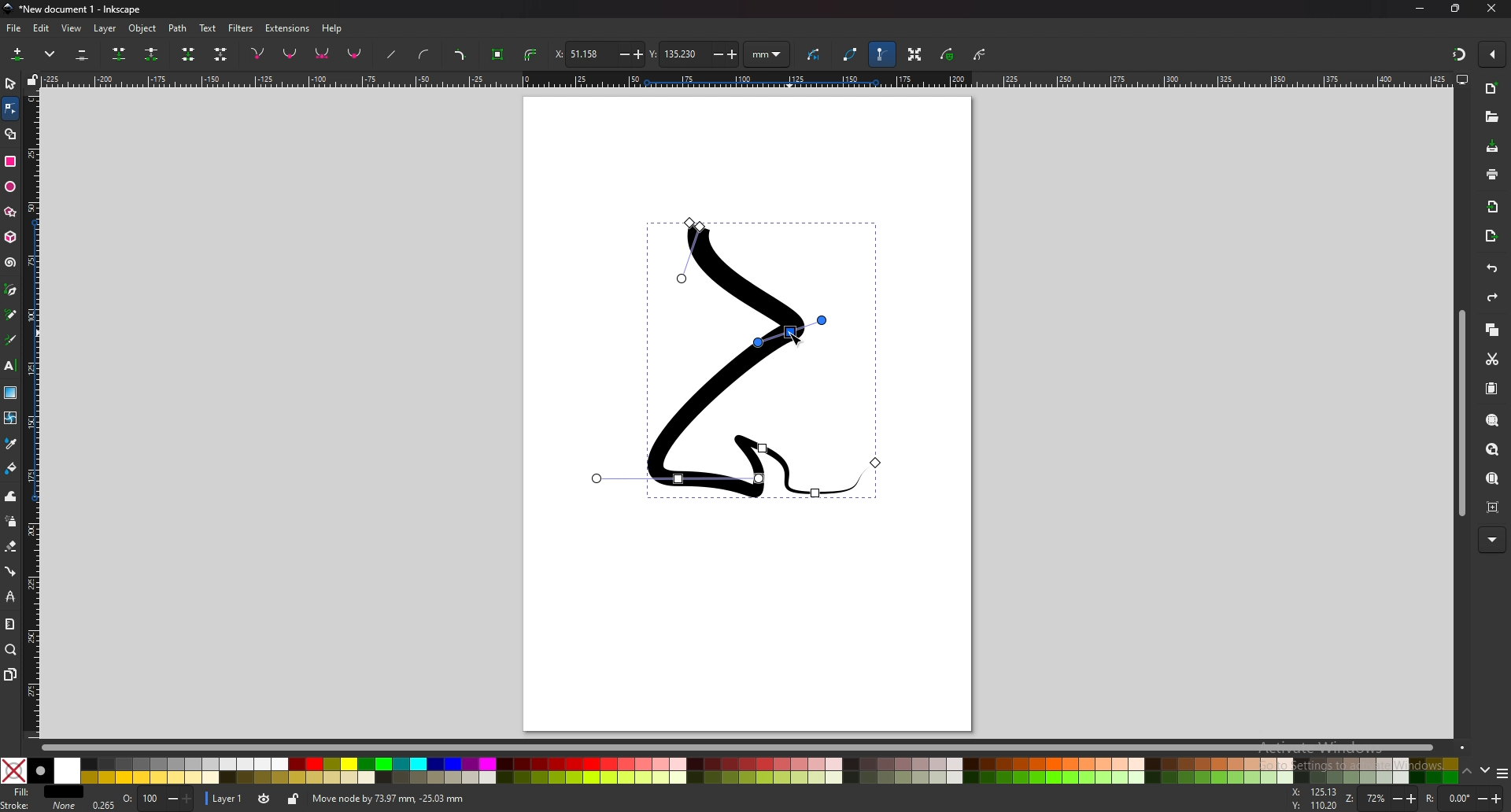 The width and height of the screenshot is (1511, 812). What do you see at coordinates (263, 799) in the screenshot?
I see `toggle visibility` at bounding box center [263, 799].